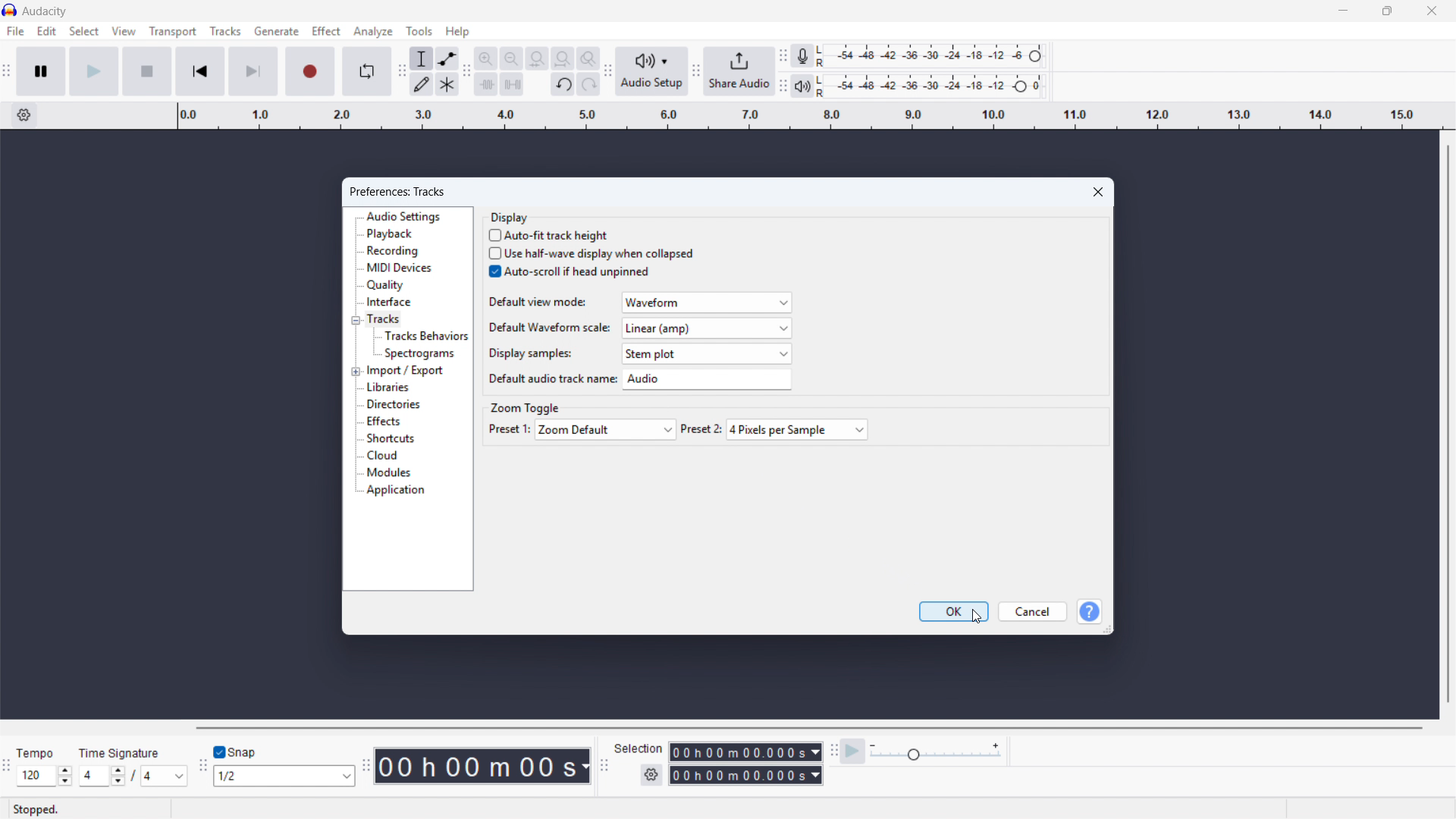  Describe the element at coordinates (563, 58) in the screenshot. I see `fit project to width` at that location.